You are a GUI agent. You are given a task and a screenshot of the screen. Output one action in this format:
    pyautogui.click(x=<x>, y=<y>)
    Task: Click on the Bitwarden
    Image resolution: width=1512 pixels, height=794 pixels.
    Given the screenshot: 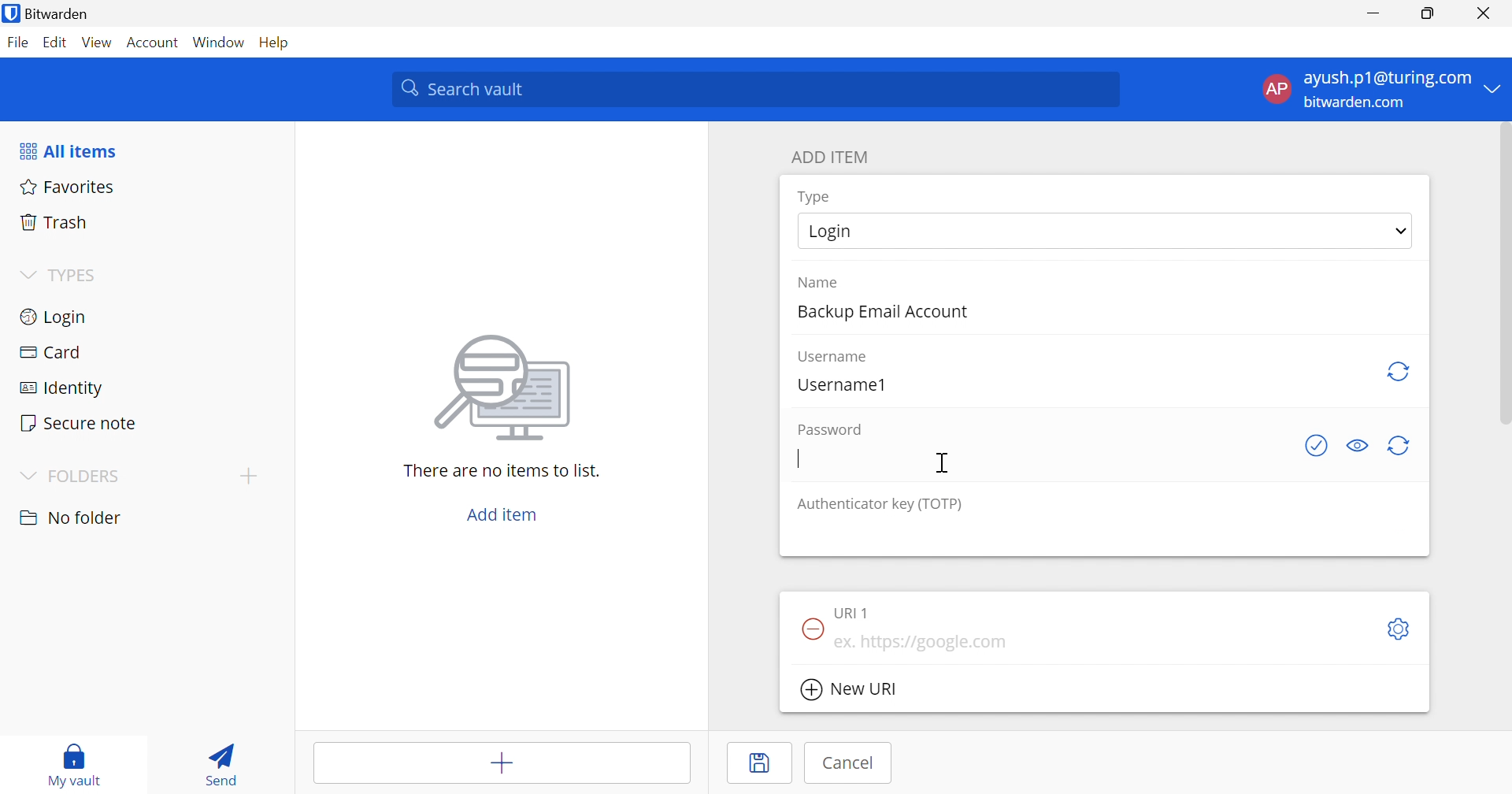 What is the action you would take?
    pyautogui.click(x=57, y=13)
    